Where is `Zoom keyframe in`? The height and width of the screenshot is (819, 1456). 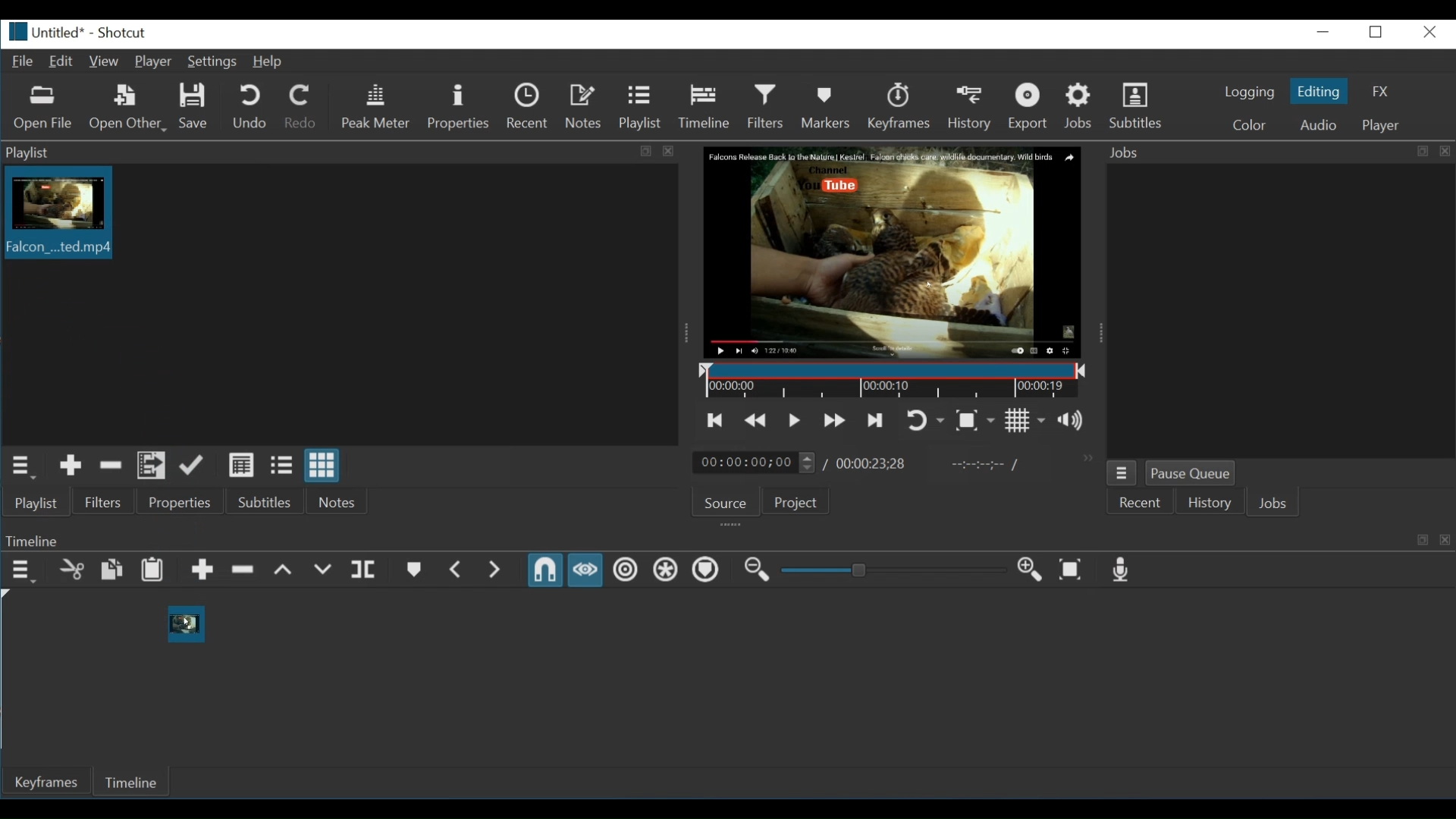
Zoom keyframe in is located at coordinates (1027, 568).